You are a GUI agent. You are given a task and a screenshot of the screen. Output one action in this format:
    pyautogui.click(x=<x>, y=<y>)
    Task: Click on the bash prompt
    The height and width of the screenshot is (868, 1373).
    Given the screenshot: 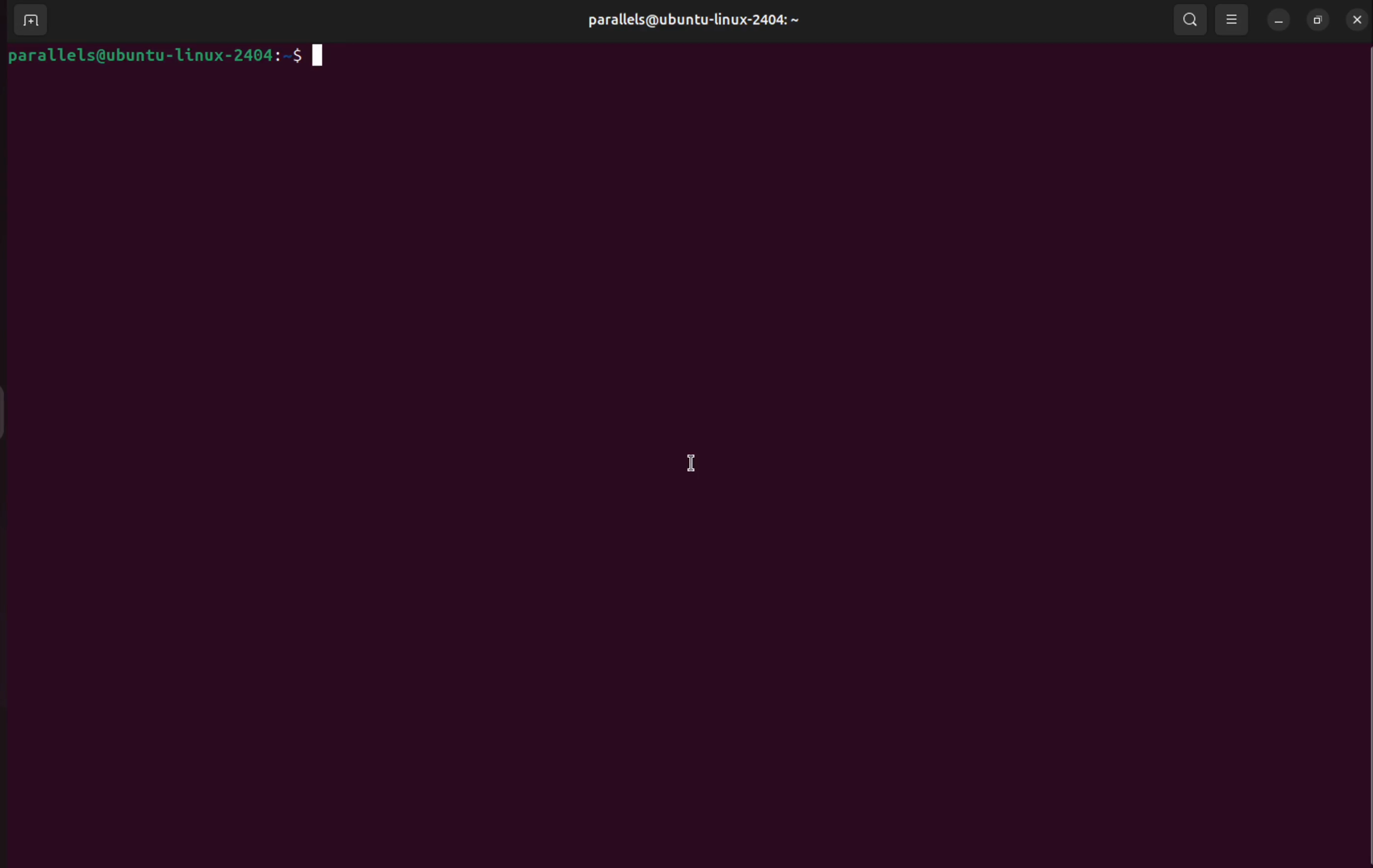 What is the action you would take?
    pyautogui.click(x=165, y=54)
    